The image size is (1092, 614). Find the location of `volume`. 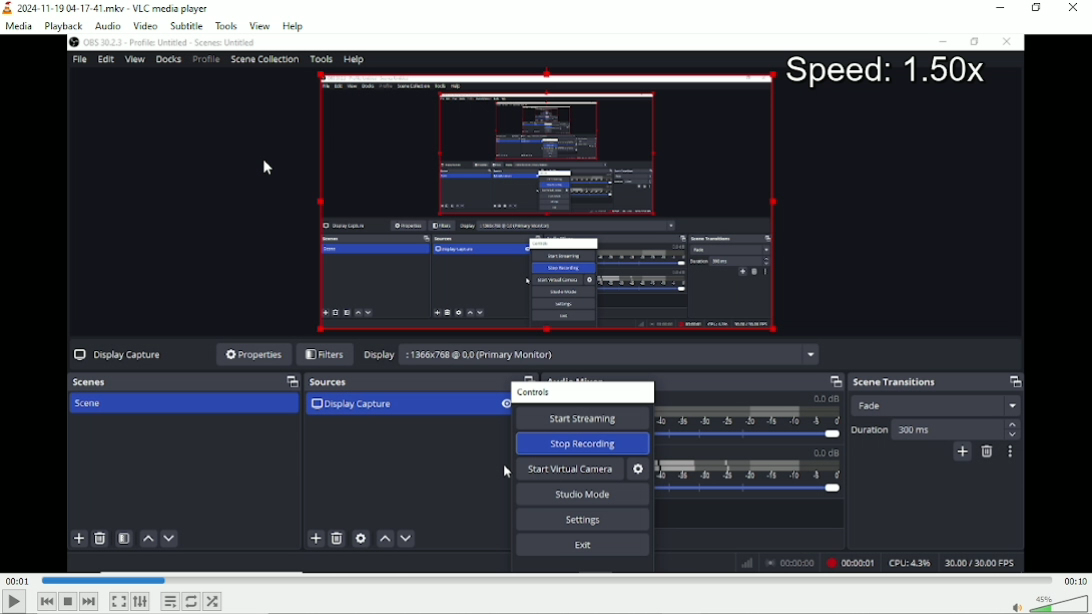

volume is located at coordinates (1048, 603).